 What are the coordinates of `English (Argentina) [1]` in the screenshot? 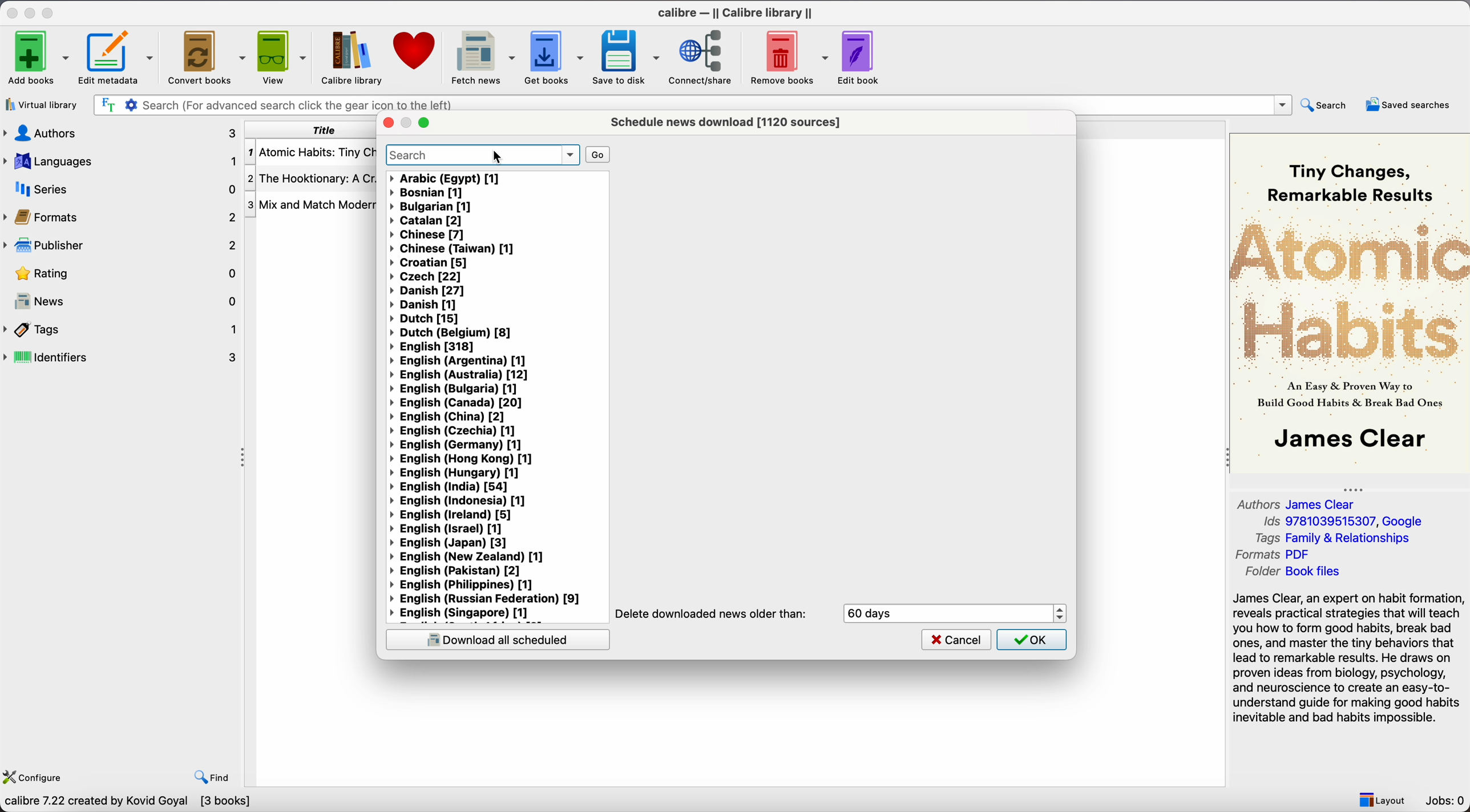 It's located at (459, 361).